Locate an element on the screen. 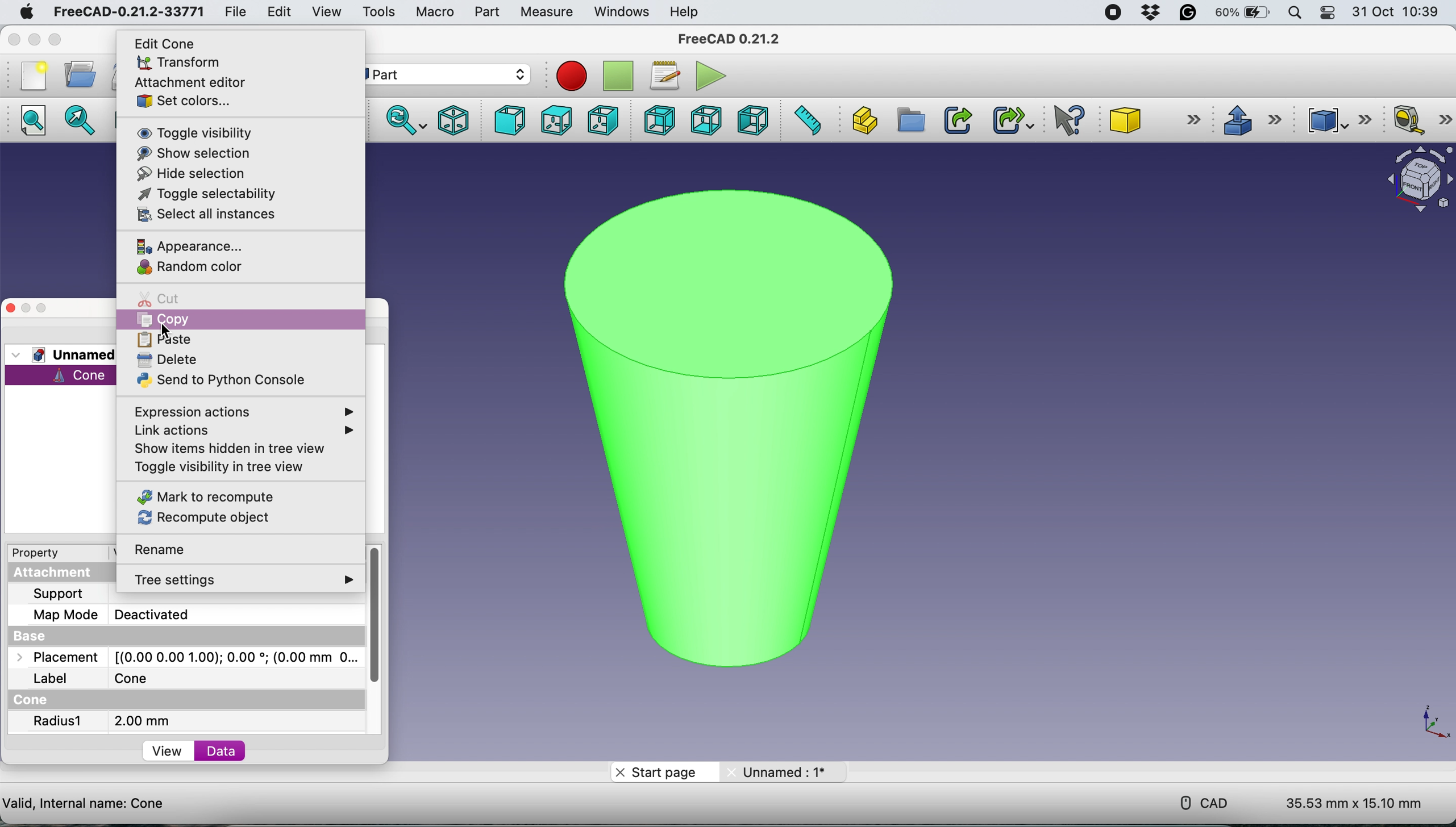  toggle visibility is located at coordinates (192, 132).